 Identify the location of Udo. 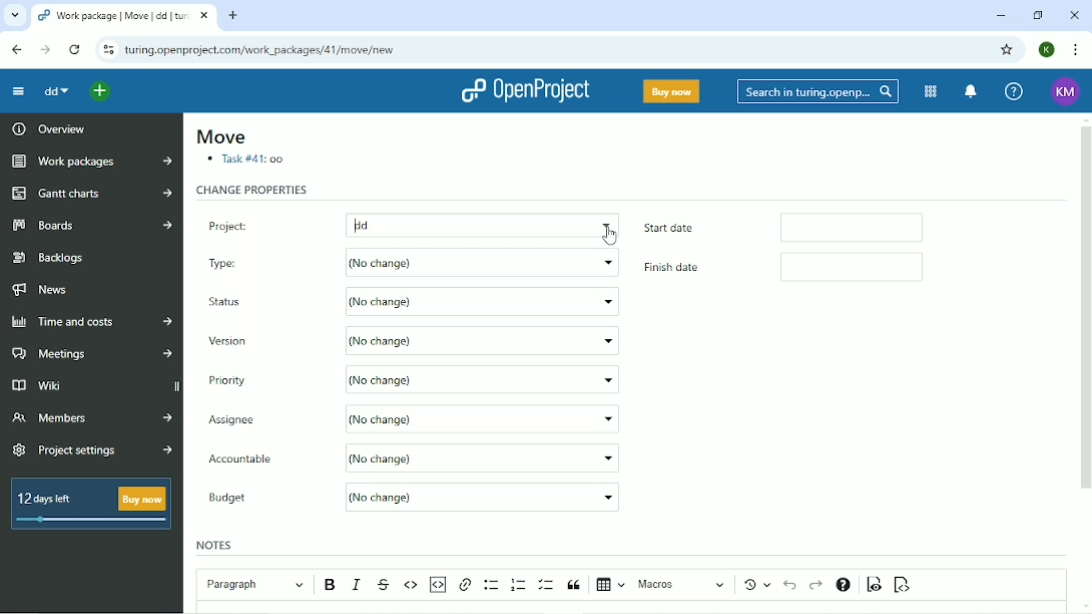
(792, 583).